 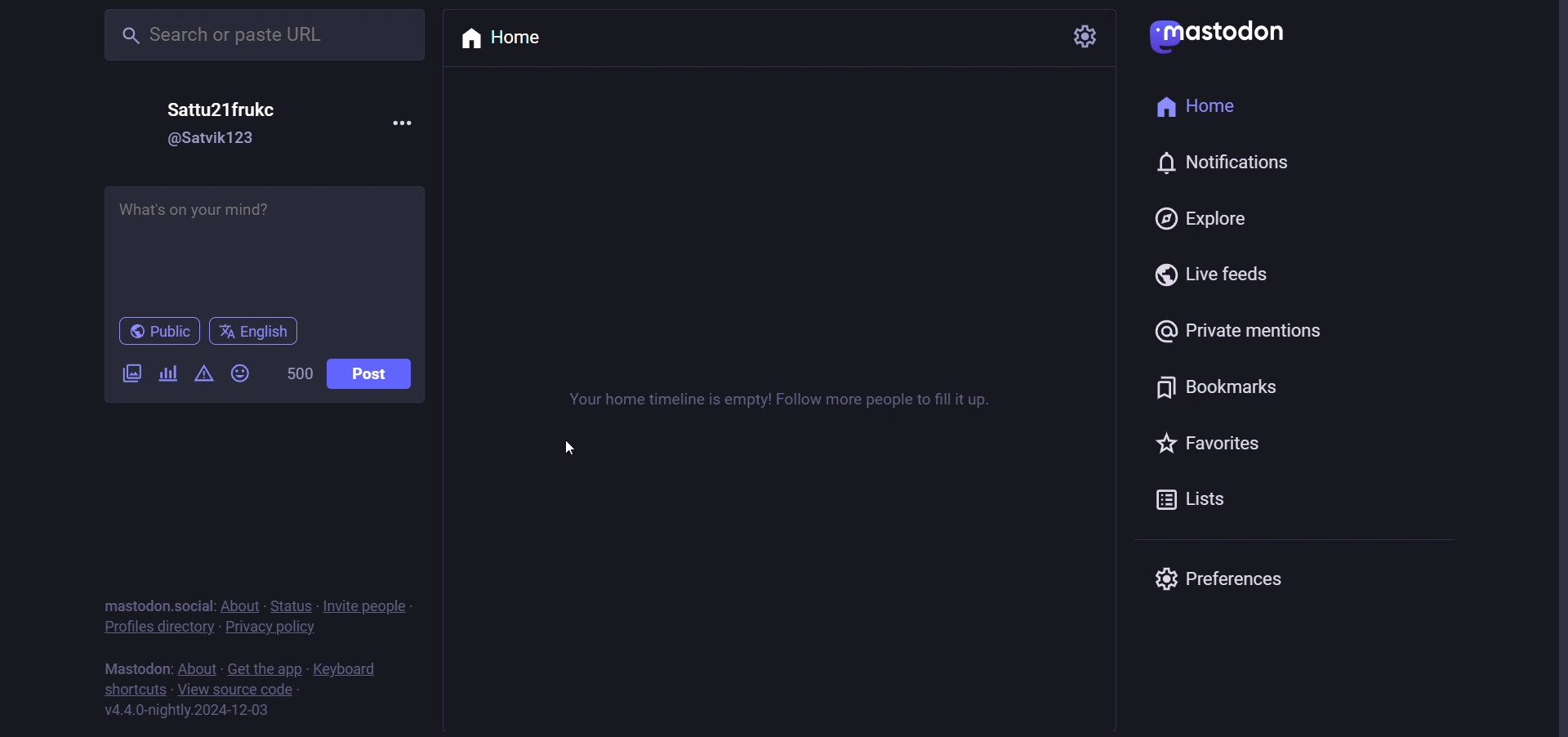 What do you see at coordinates (255, 332) in the screenshot?
I see `English` at bounding box center [255, 332].